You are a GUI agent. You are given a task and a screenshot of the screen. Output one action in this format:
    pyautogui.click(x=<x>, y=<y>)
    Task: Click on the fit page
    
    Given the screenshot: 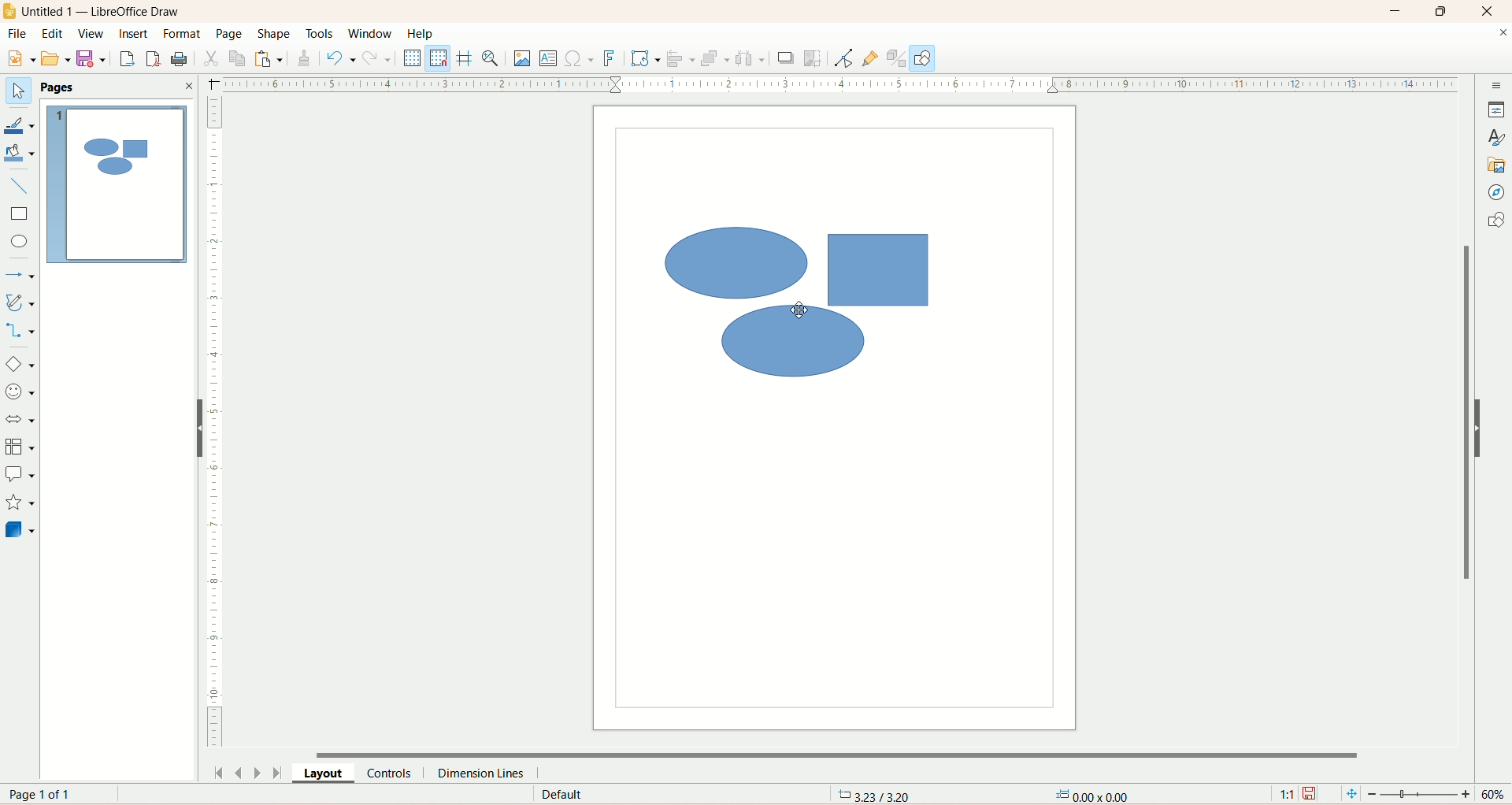 What is the action you would take?
    pyautogui.click(x=1350, y=795)
    